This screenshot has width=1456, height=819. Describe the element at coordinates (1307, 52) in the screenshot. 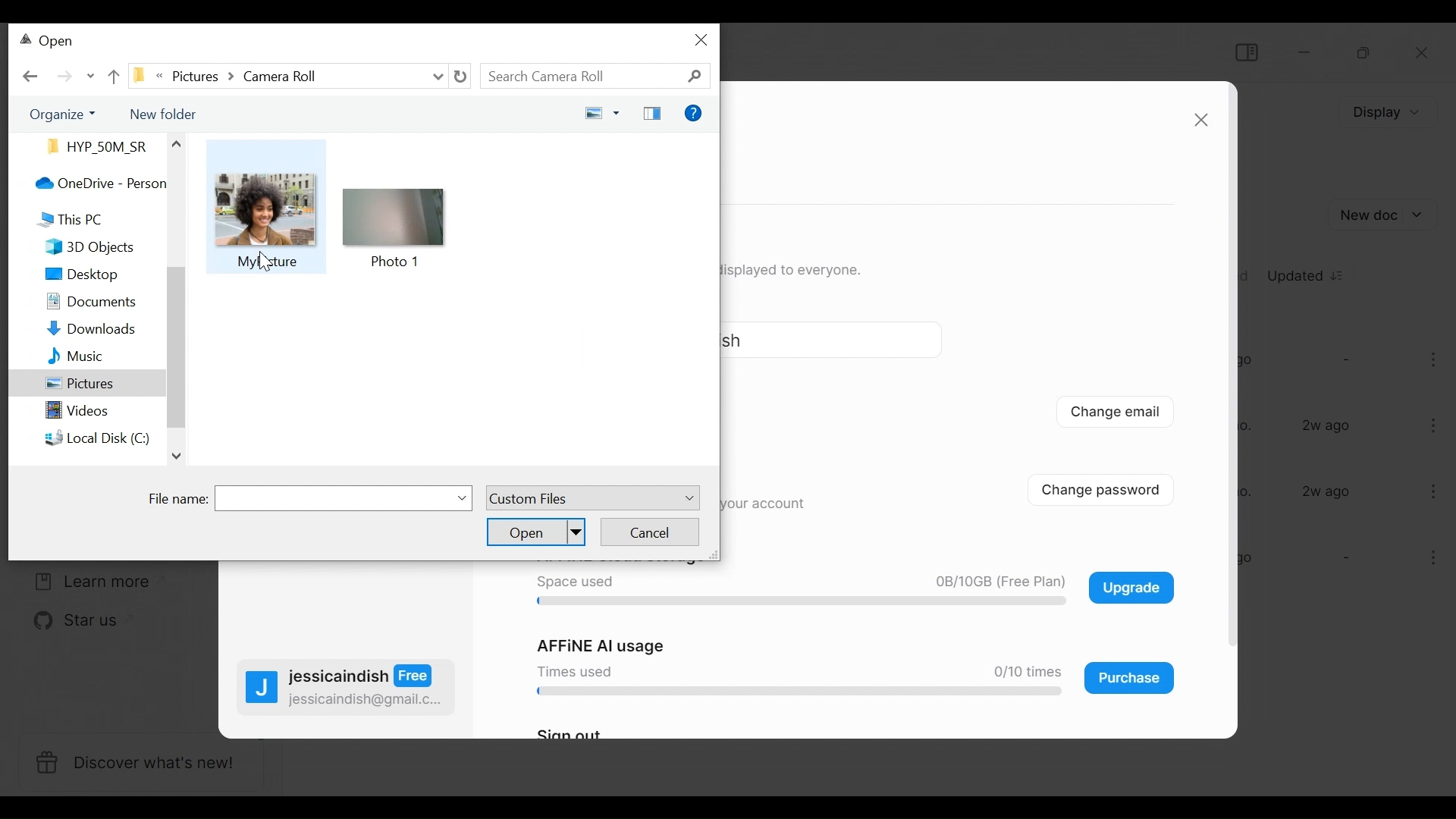

I see `minimize` at that location.